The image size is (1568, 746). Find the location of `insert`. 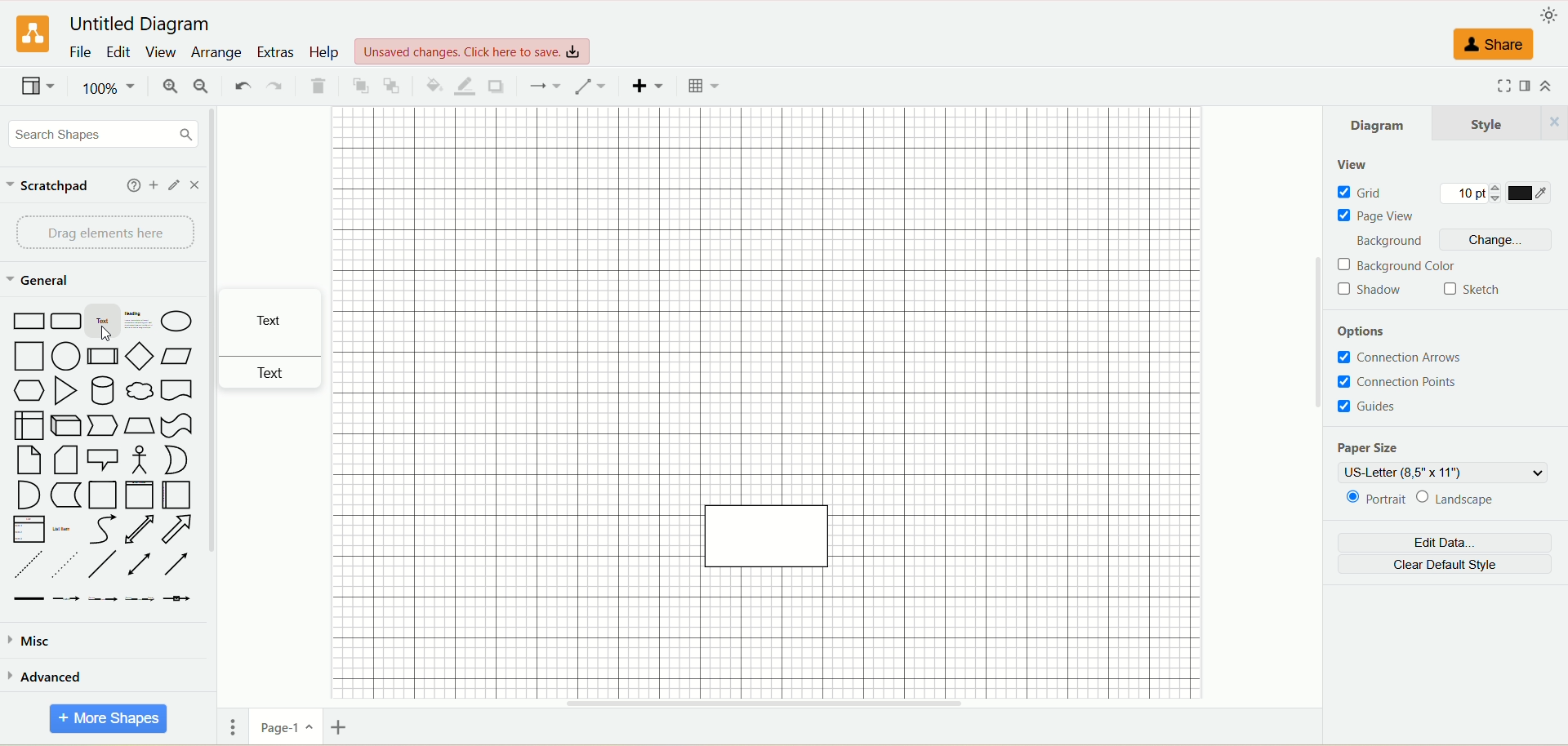

insert is located at coordinates (650, 87).